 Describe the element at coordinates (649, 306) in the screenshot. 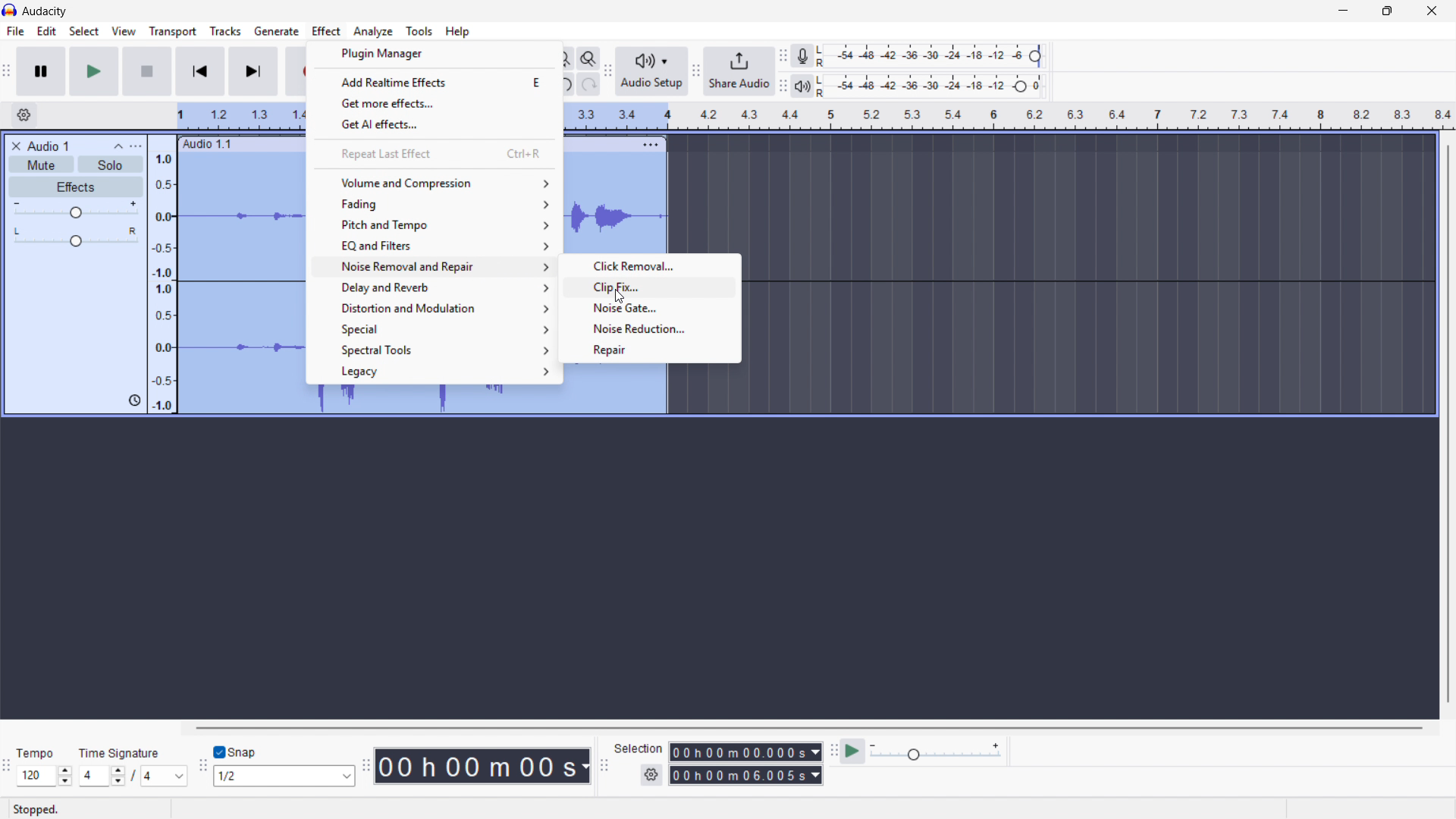

I see `Noise gate` at that location.